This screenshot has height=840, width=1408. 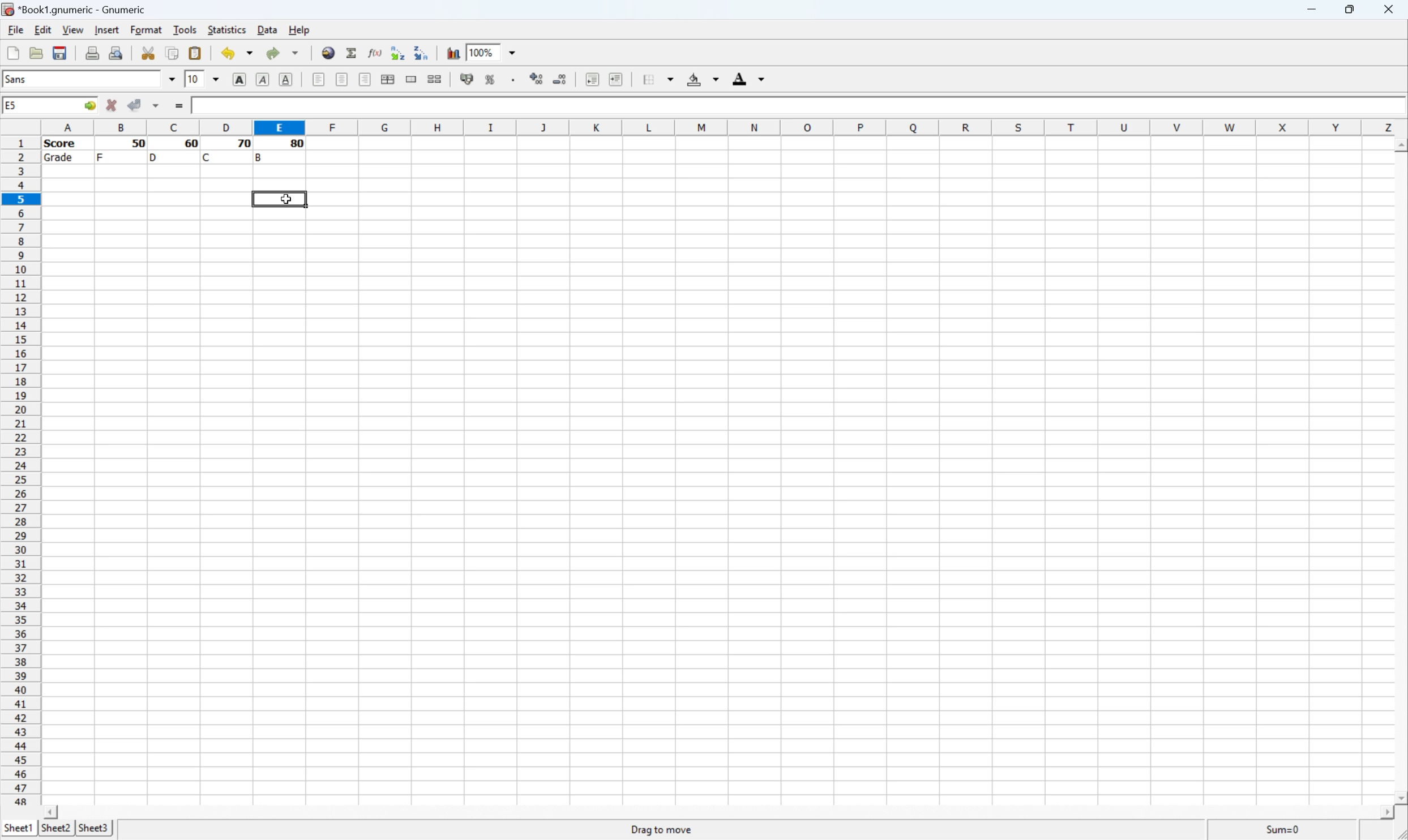 I want to click on Grade, so click(x=62, y=159).